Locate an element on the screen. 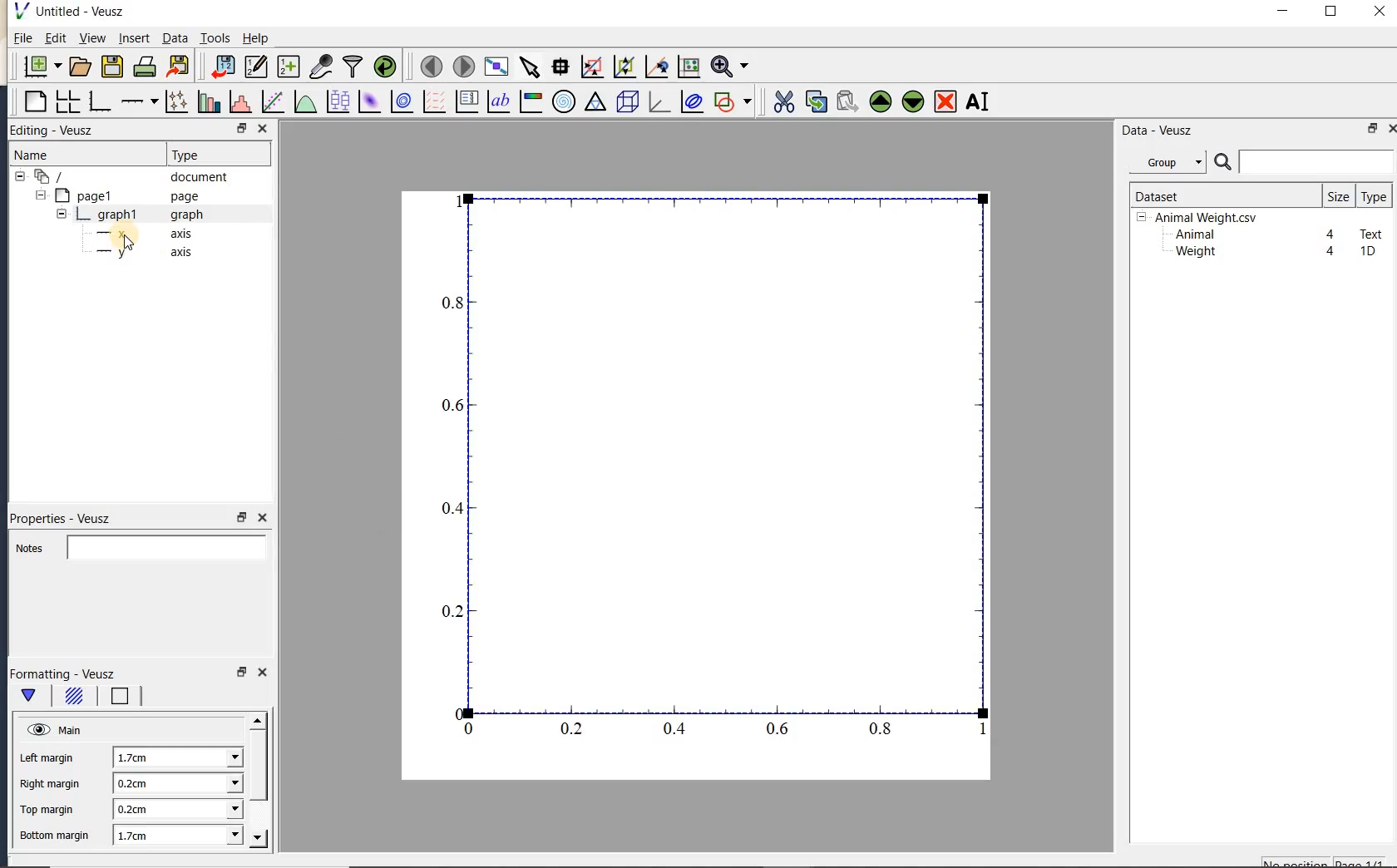  Main formatting is located at coordinates (29, 698).